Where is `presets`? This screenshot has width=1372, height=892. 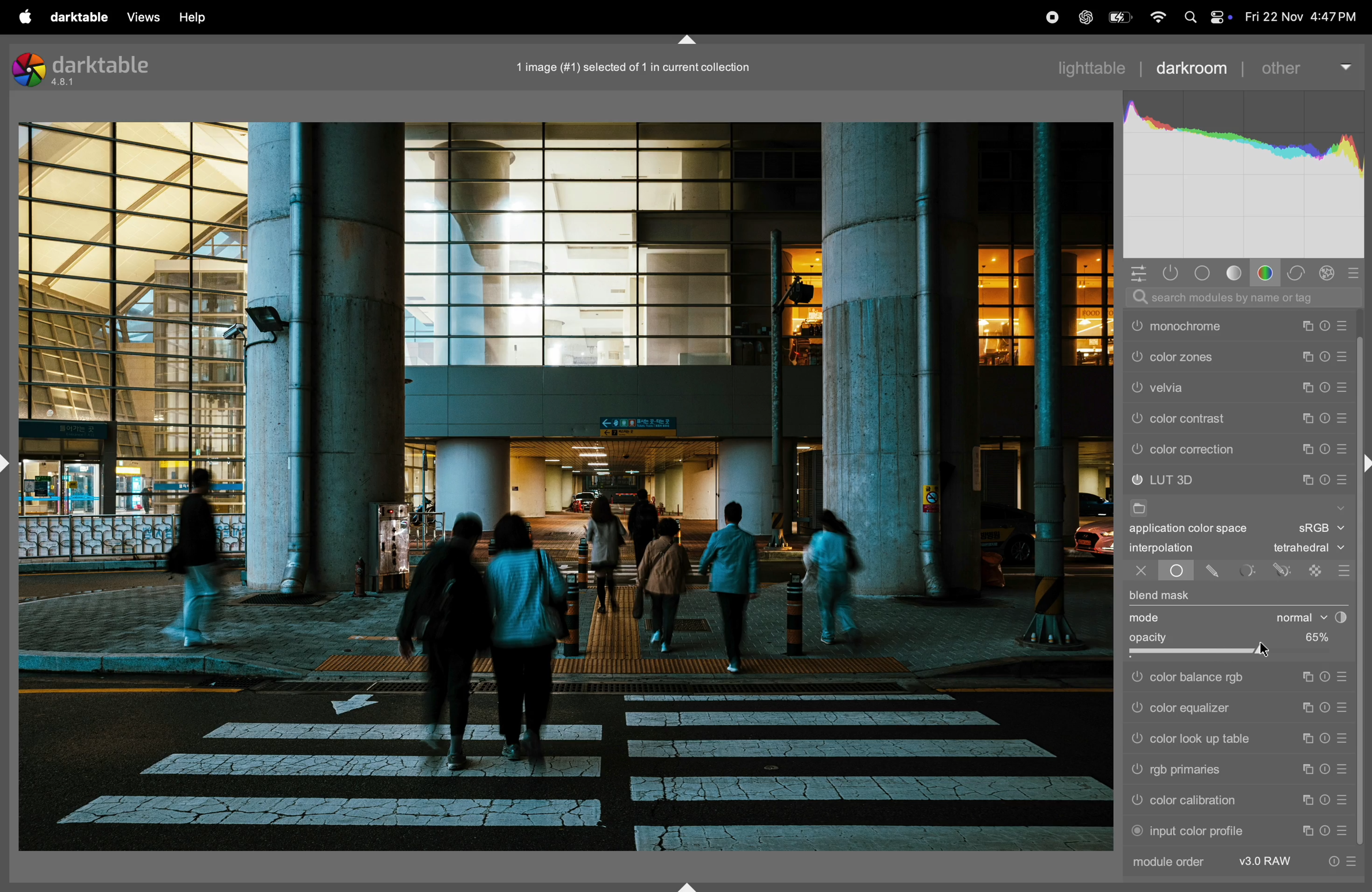 presets is located at coordinates (1345, 710).